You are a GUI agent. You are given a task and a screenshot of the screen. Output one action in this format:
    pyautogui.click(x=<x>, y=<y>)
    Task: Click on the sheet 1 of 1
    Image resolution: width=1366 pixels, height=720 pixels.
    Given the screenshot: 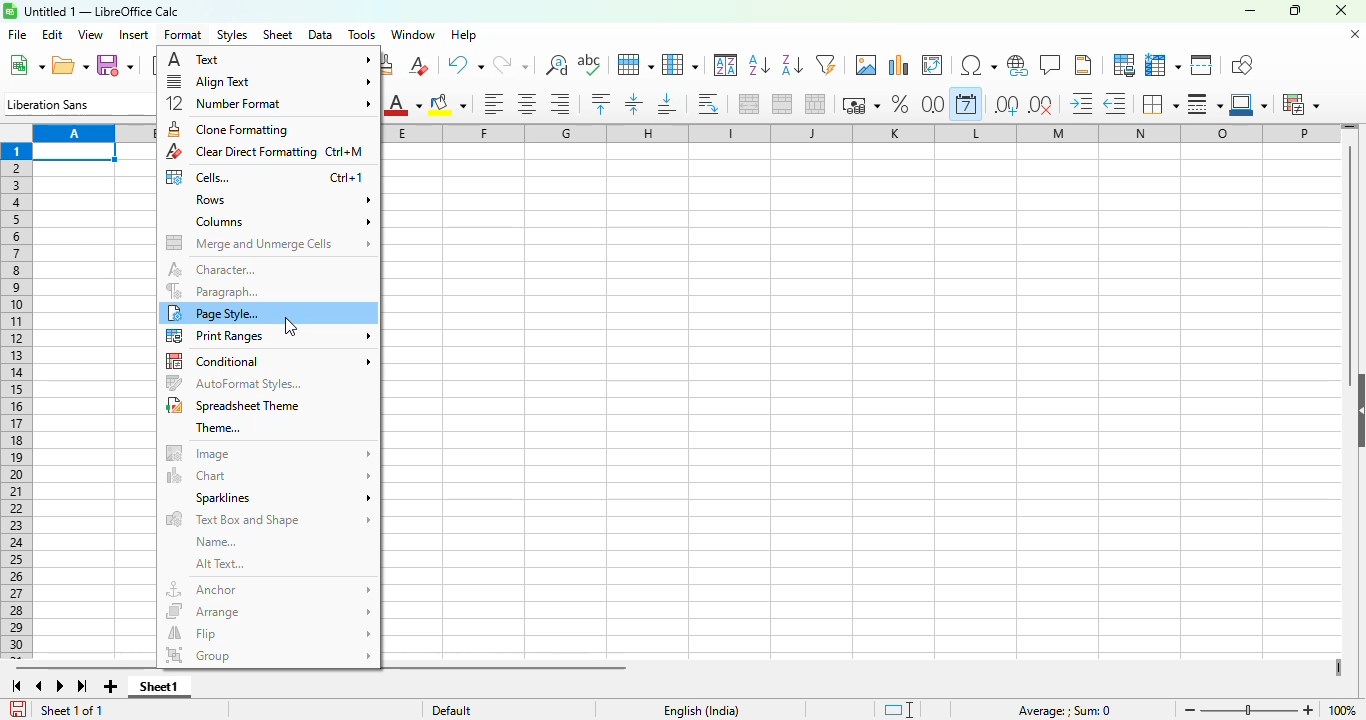 What is the action you would take?
    pyautogui.click(x=70, y=710)
    